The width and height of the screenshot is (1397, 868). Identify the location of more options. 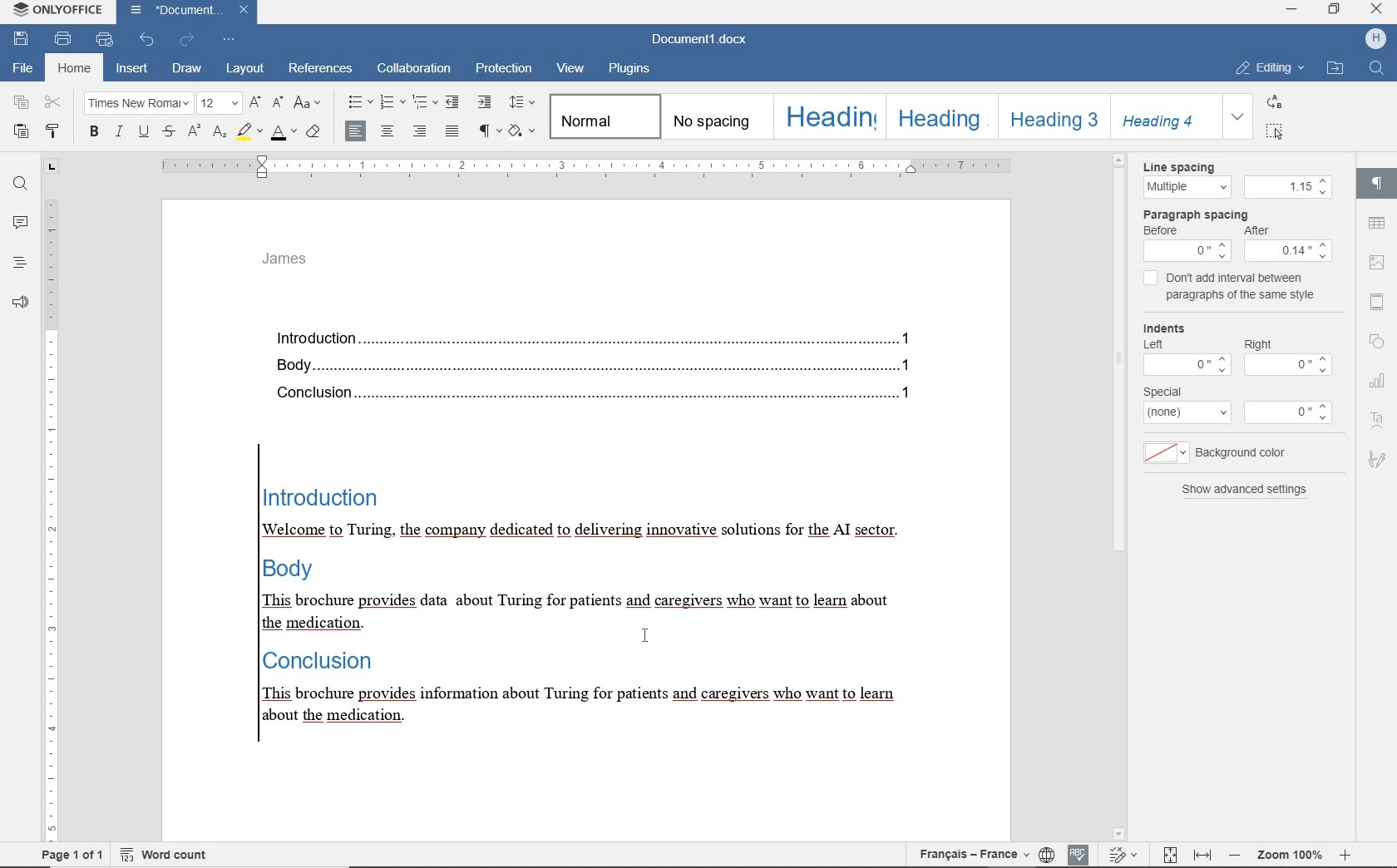
(1163, 453).